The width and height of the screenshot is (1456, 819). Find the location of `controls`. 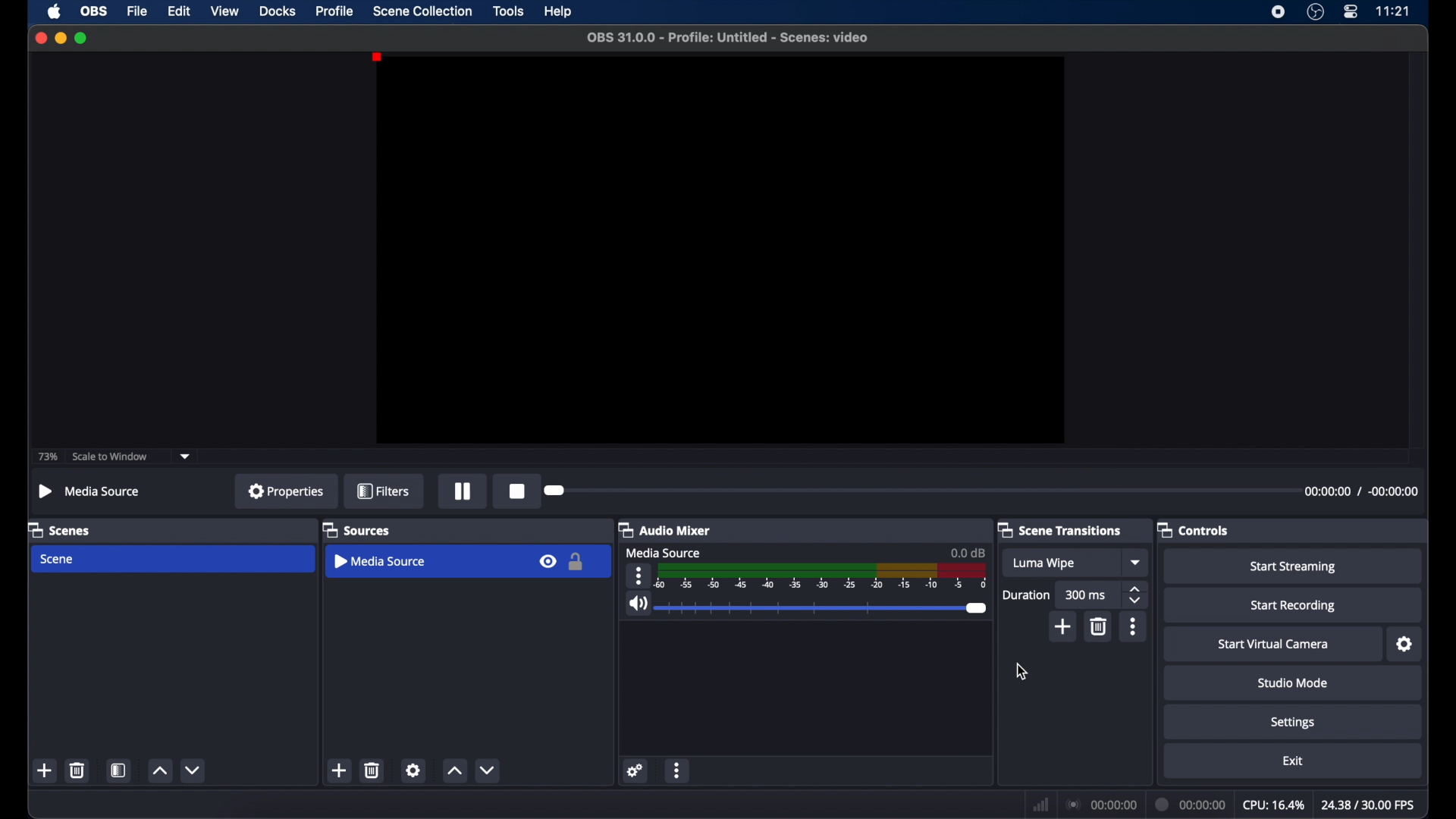

controls is located at coordinates (1194, 529).